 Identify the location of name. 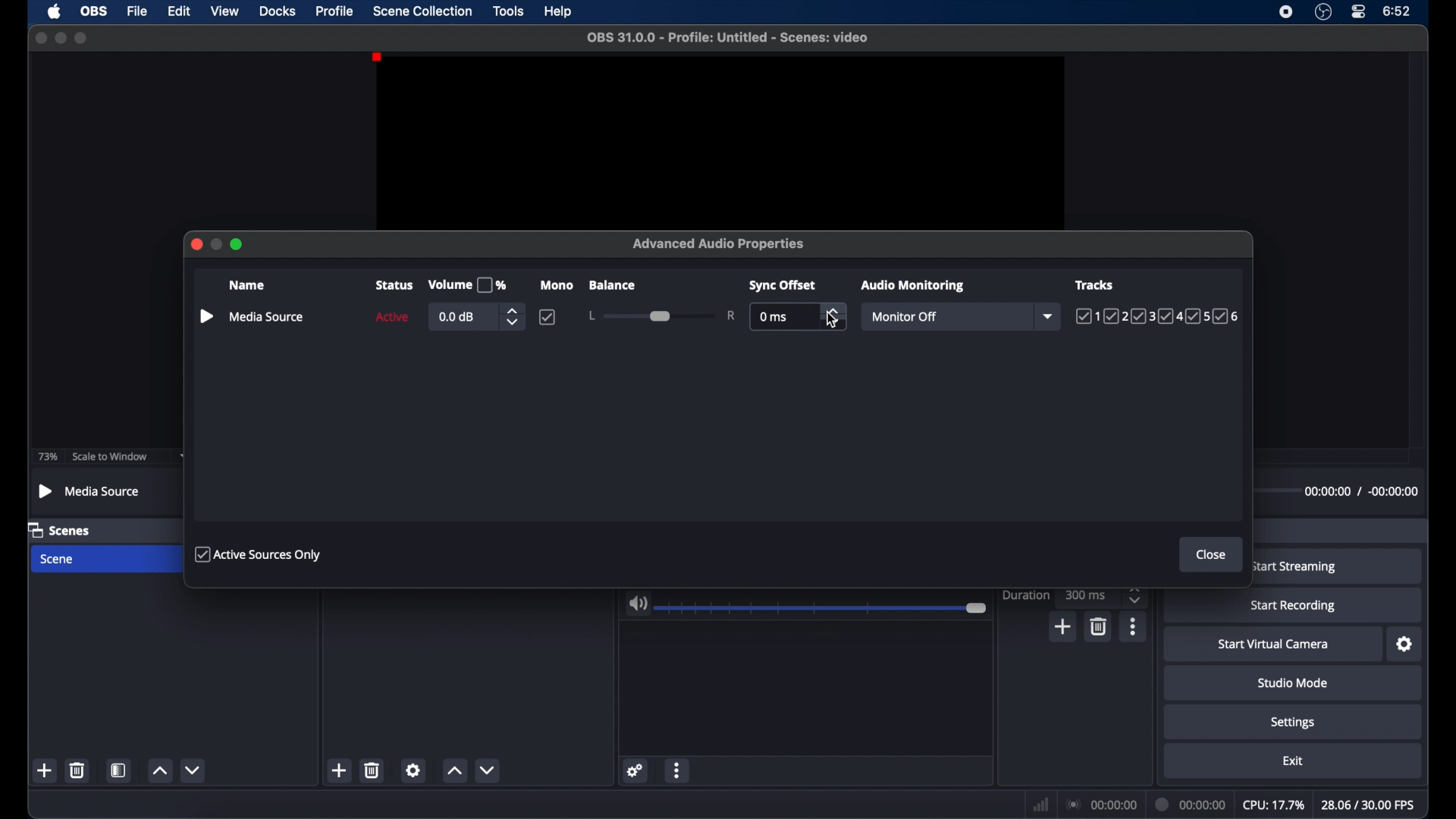
(246, 284).